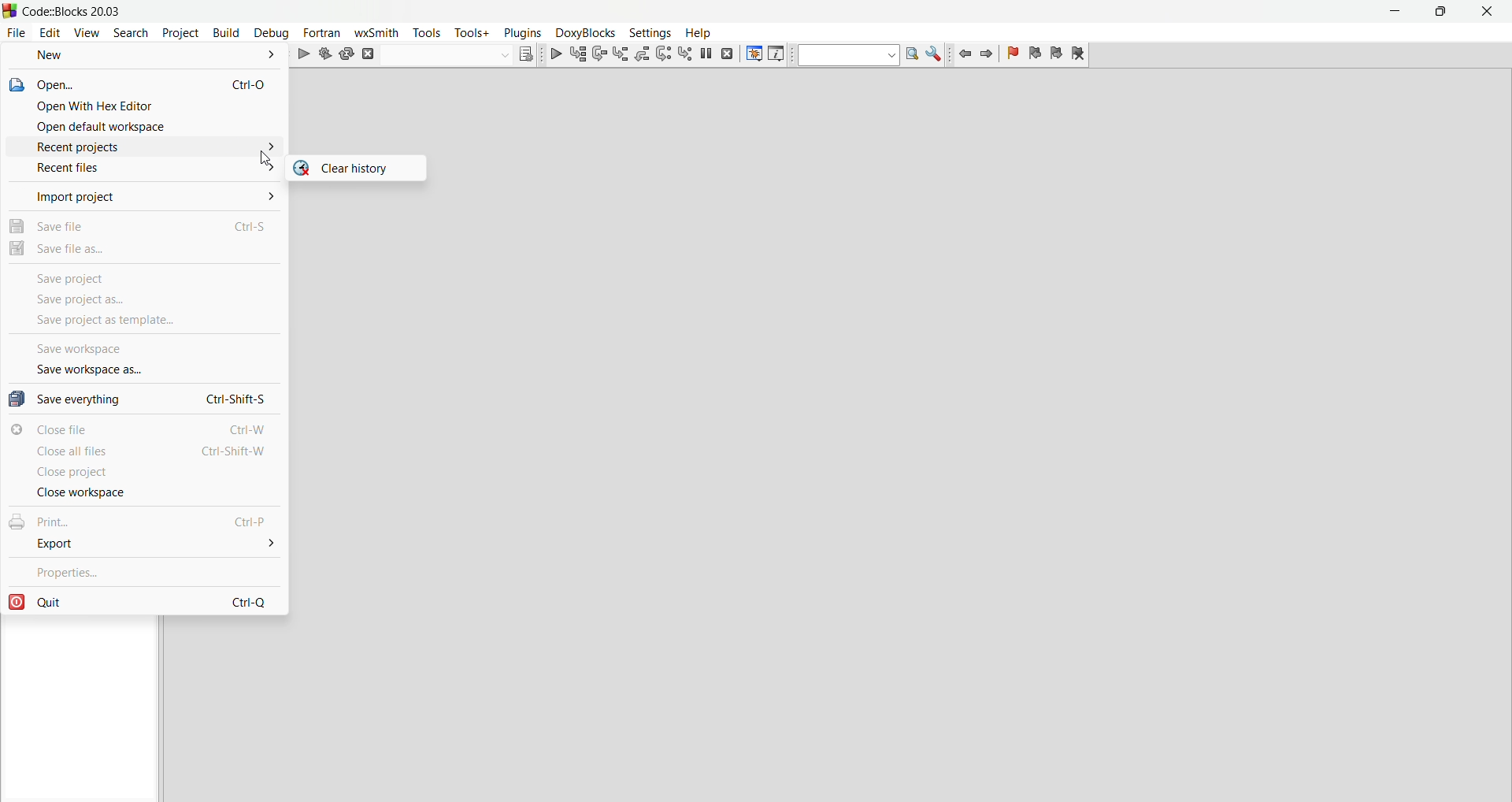 Image resolution: width=1512 pixels, height=802 pixels. I want to click on project, so click(181, 33).